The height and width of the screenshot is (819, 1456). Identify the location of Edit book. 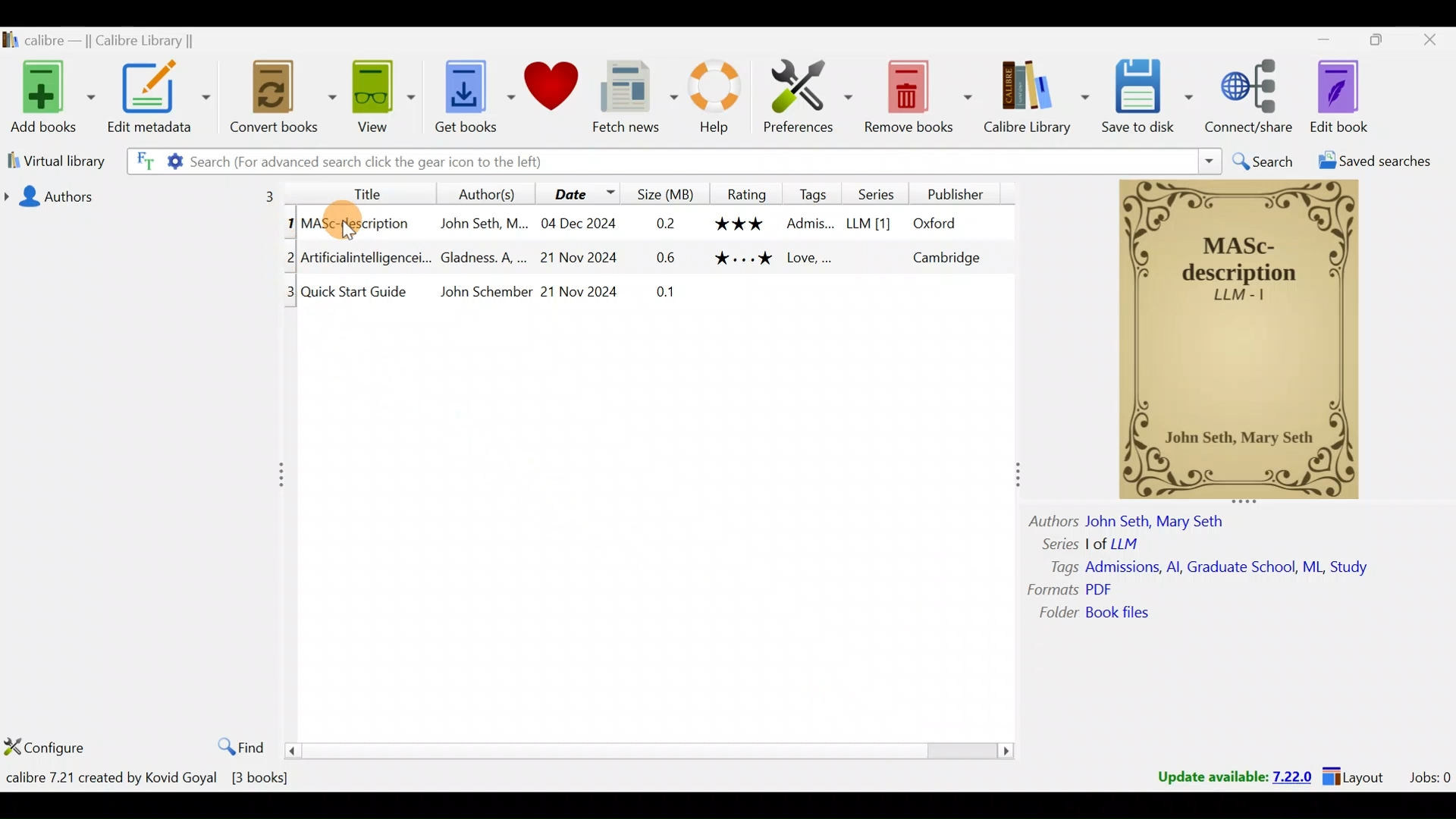
(1354, 96).